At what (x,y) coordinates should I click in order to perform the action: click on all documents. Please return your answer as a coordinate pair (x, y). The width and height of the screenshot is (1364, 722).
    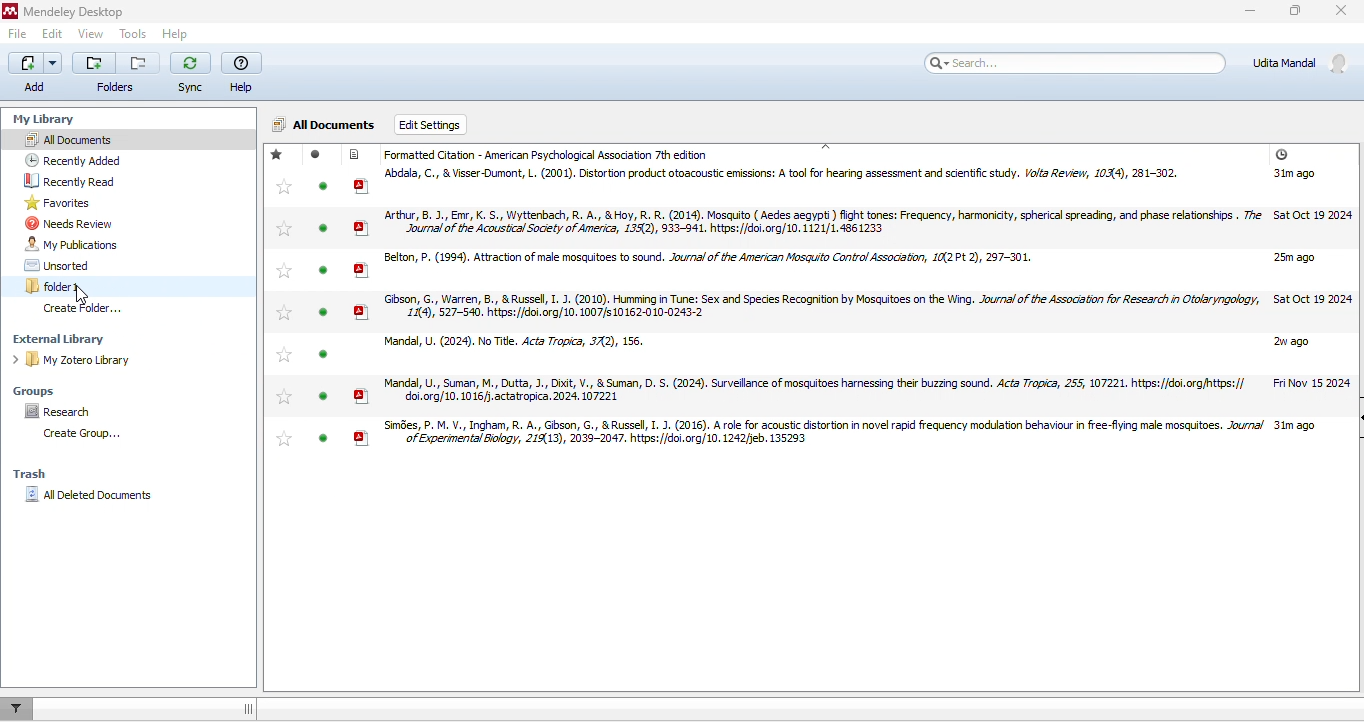
    Looking at the image, I should click on (83, 141).